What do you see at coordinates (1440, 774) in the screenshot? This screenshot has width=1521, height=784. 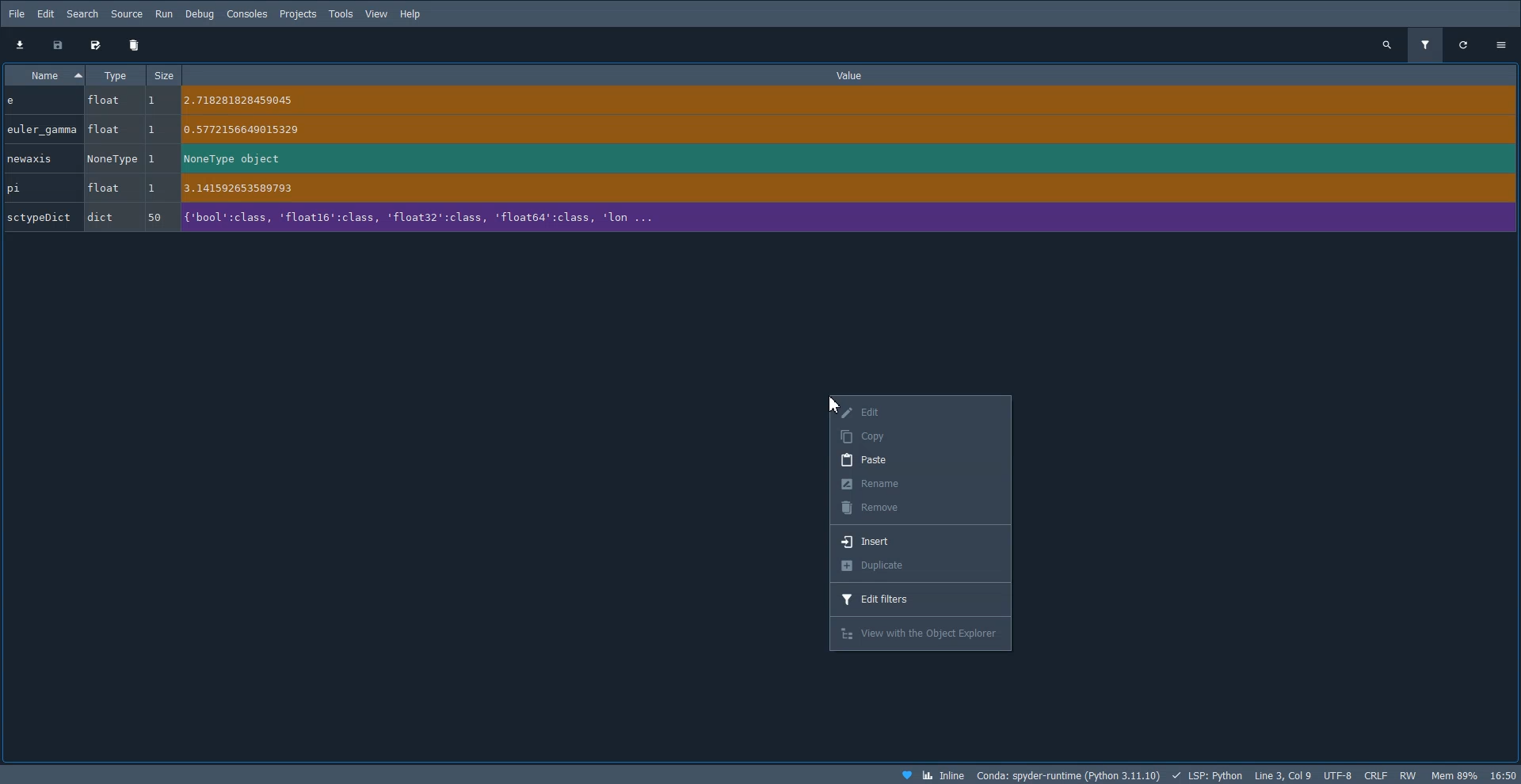 I see `Software information` at bounding box center [1440, 774].